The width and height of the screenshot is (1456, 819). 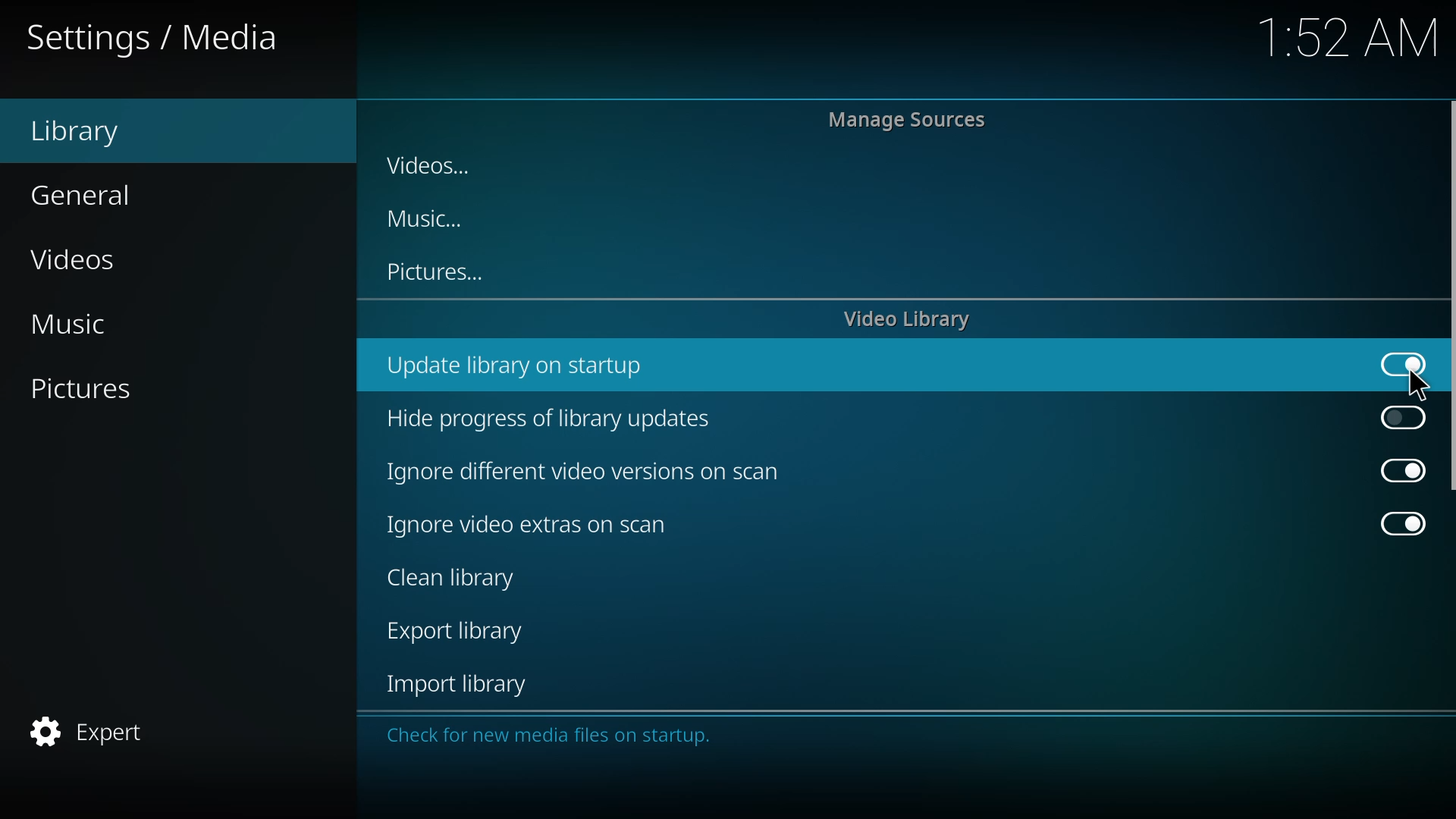 I want to click on music, so click(x=82, y=324).